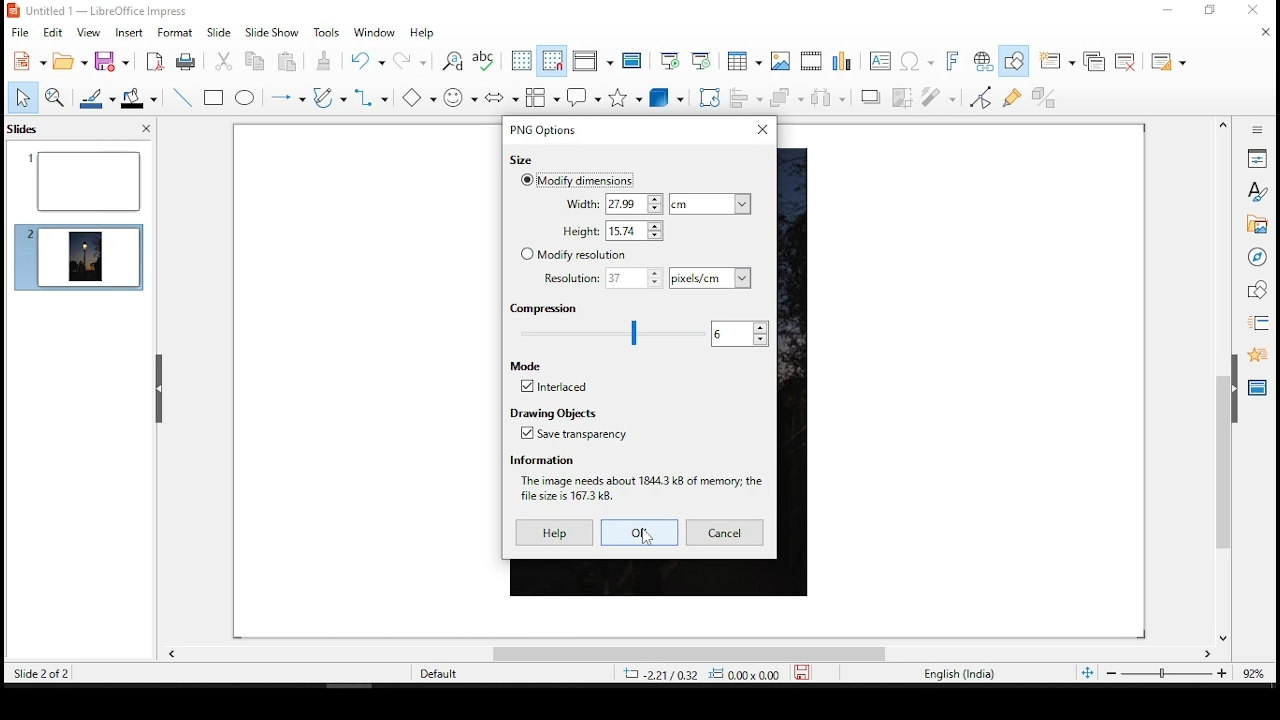  What do you see at coordinates (958, 676) in the screenshot?
I see `English` at bounding box center [958, 676].